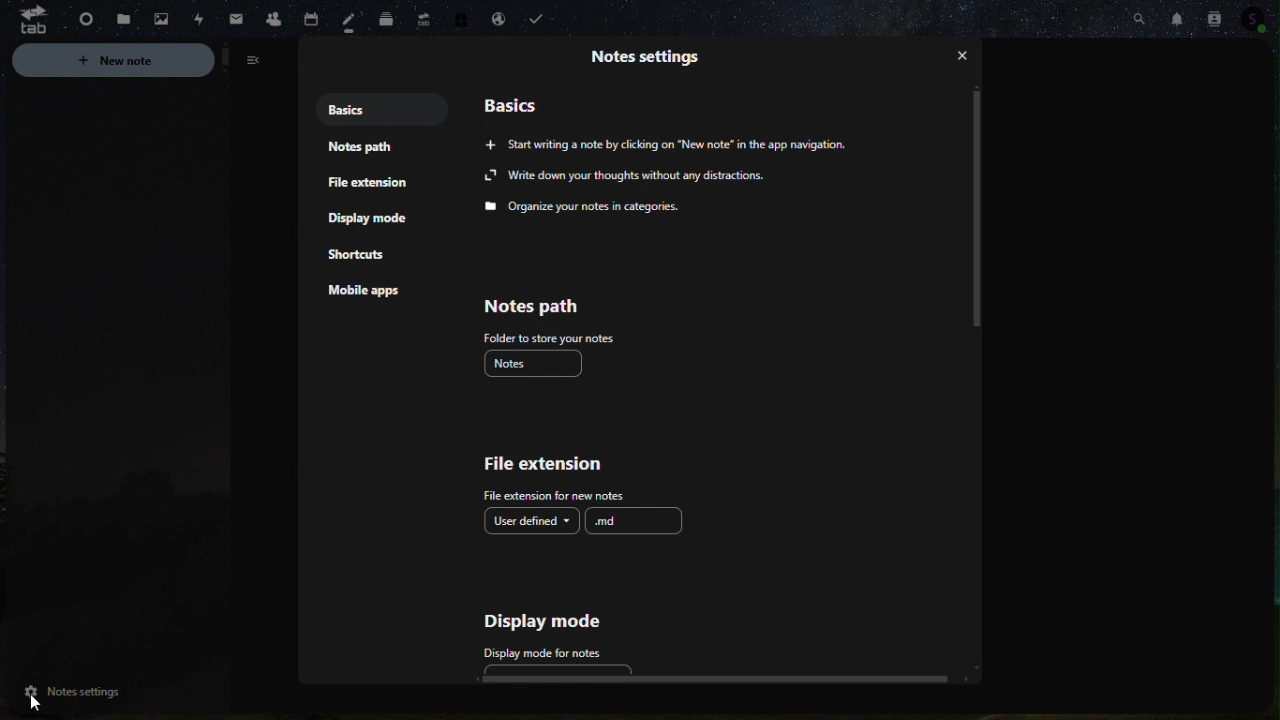  What do you see at coordinates (202, 18) in the screenshot?
I see `Activity` at bounding box center [202, 18].